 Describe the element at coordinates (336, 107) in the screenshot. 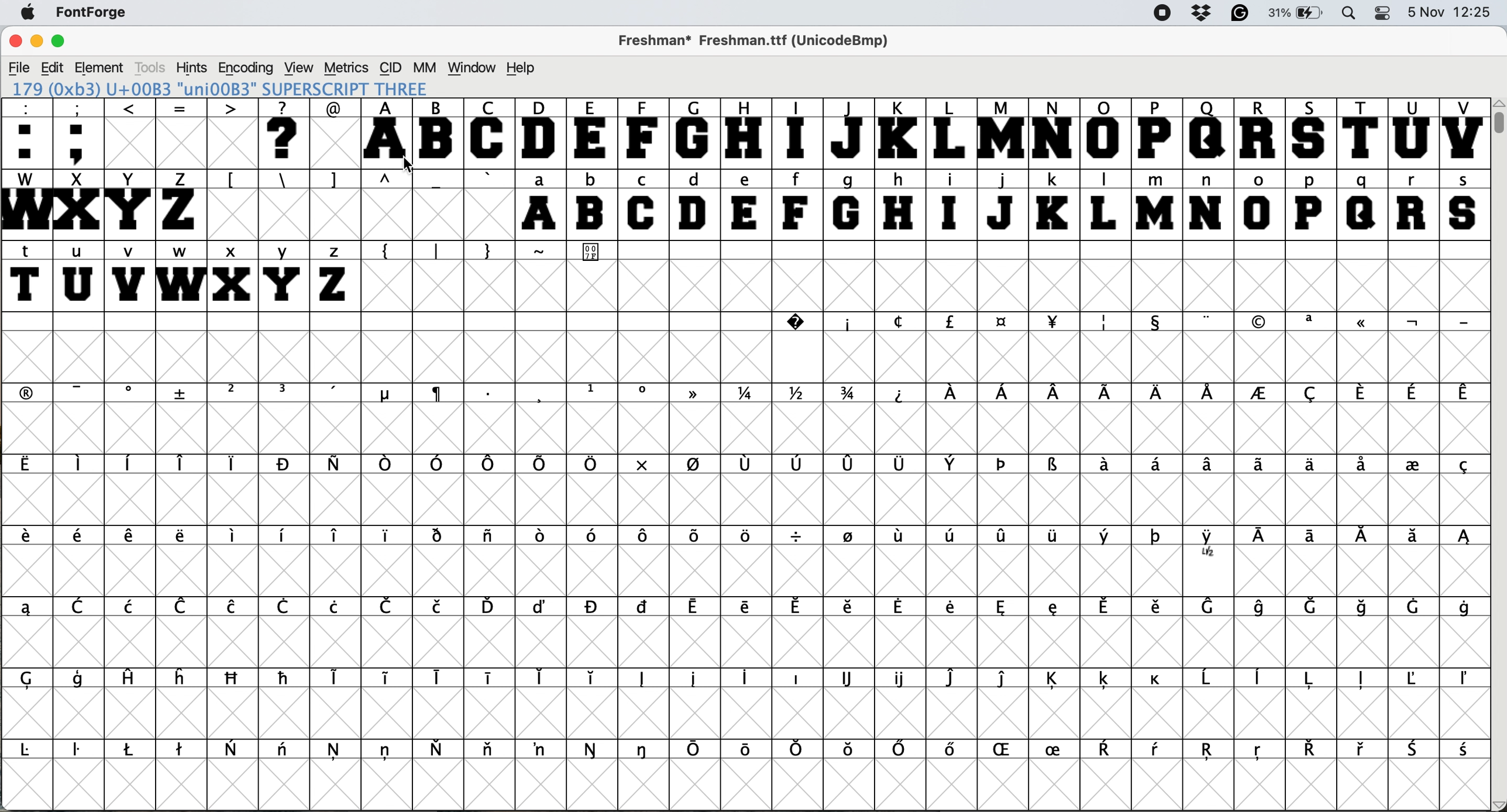

I see `@` at that location.